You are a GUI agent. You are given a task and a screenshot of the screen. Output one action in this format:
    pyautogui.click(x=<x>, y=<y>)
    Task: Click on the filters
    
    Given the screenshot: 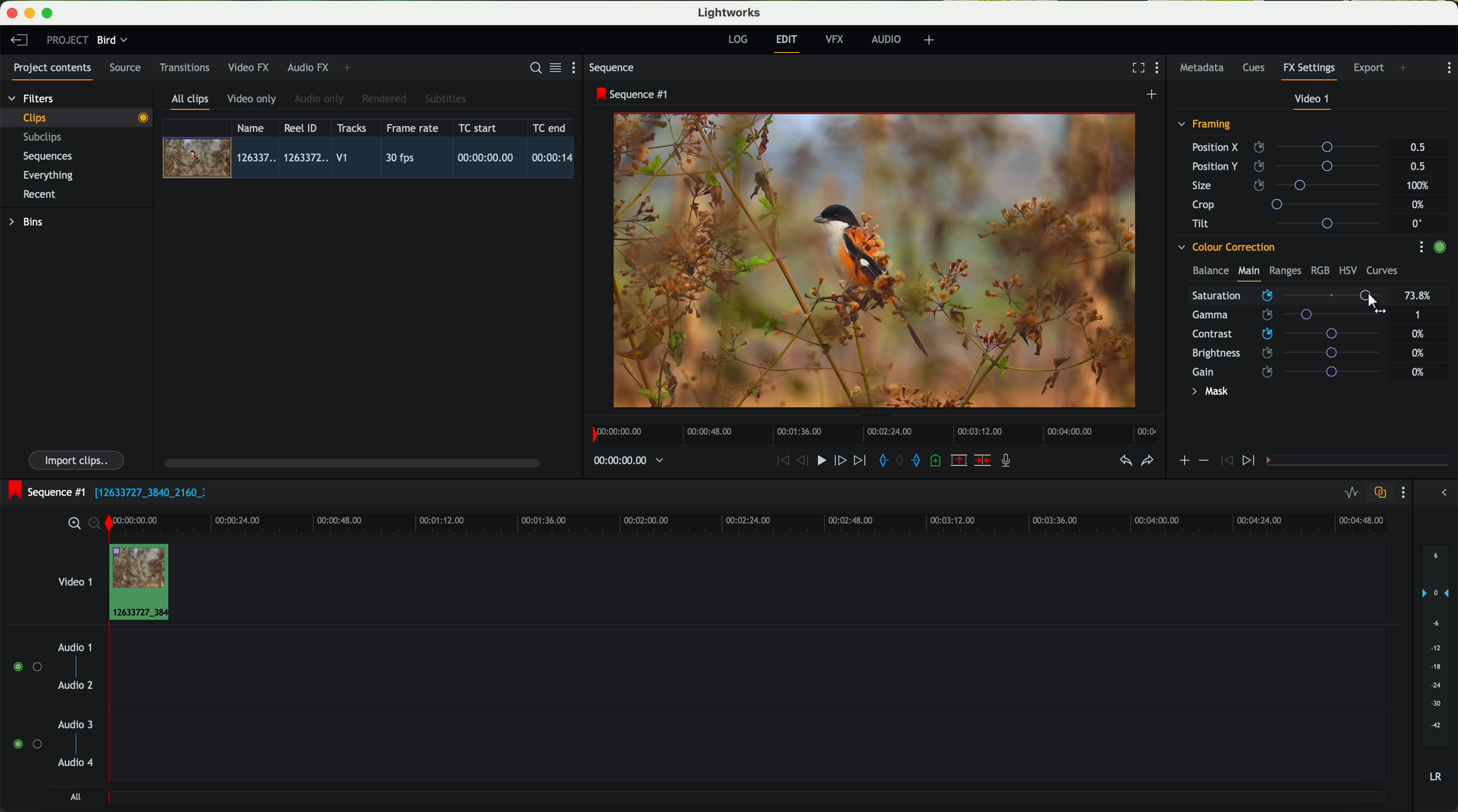 What is the action you would take?
    pyautogui.click(x=32, y=98)
    